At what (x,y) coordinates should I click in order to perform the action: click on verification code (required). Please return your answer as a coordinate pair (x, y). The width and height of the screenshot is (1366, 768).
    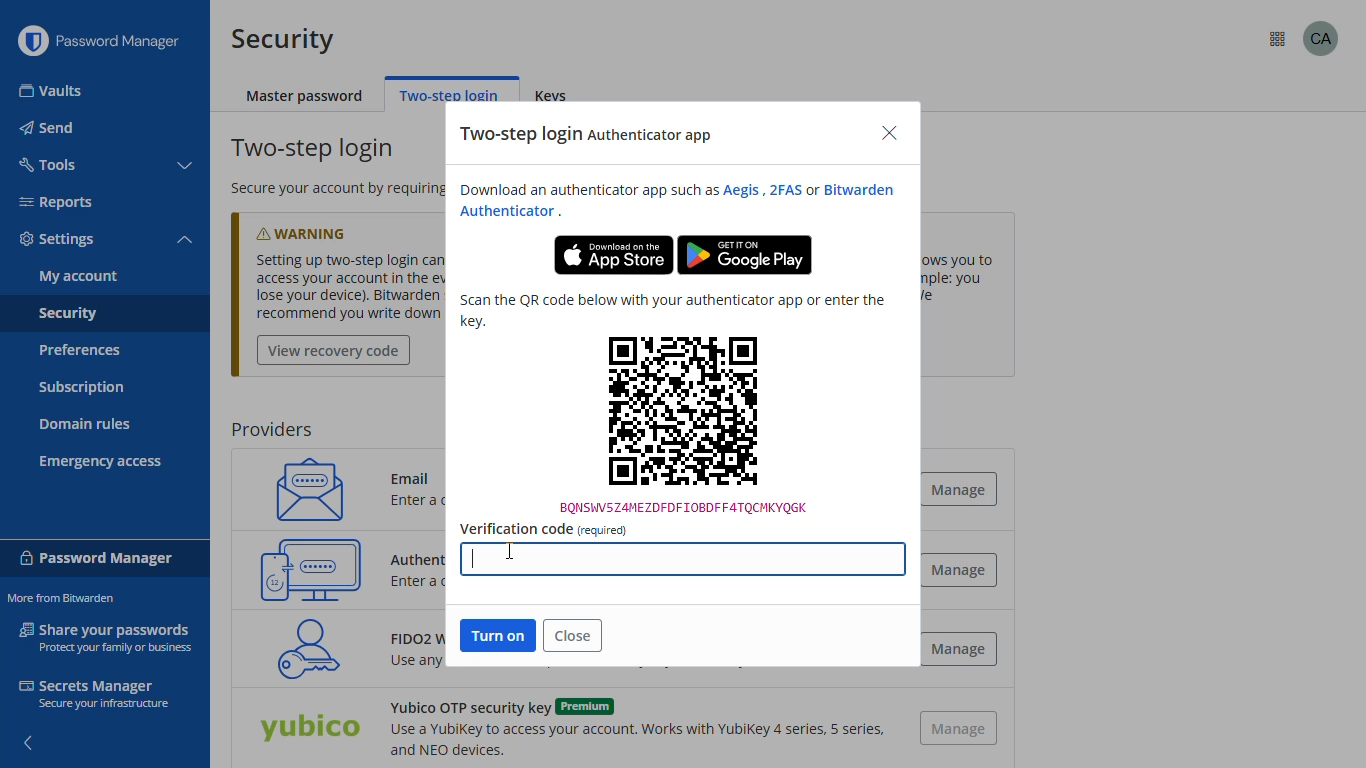
    Looking at the image, I should click on (543, 529).